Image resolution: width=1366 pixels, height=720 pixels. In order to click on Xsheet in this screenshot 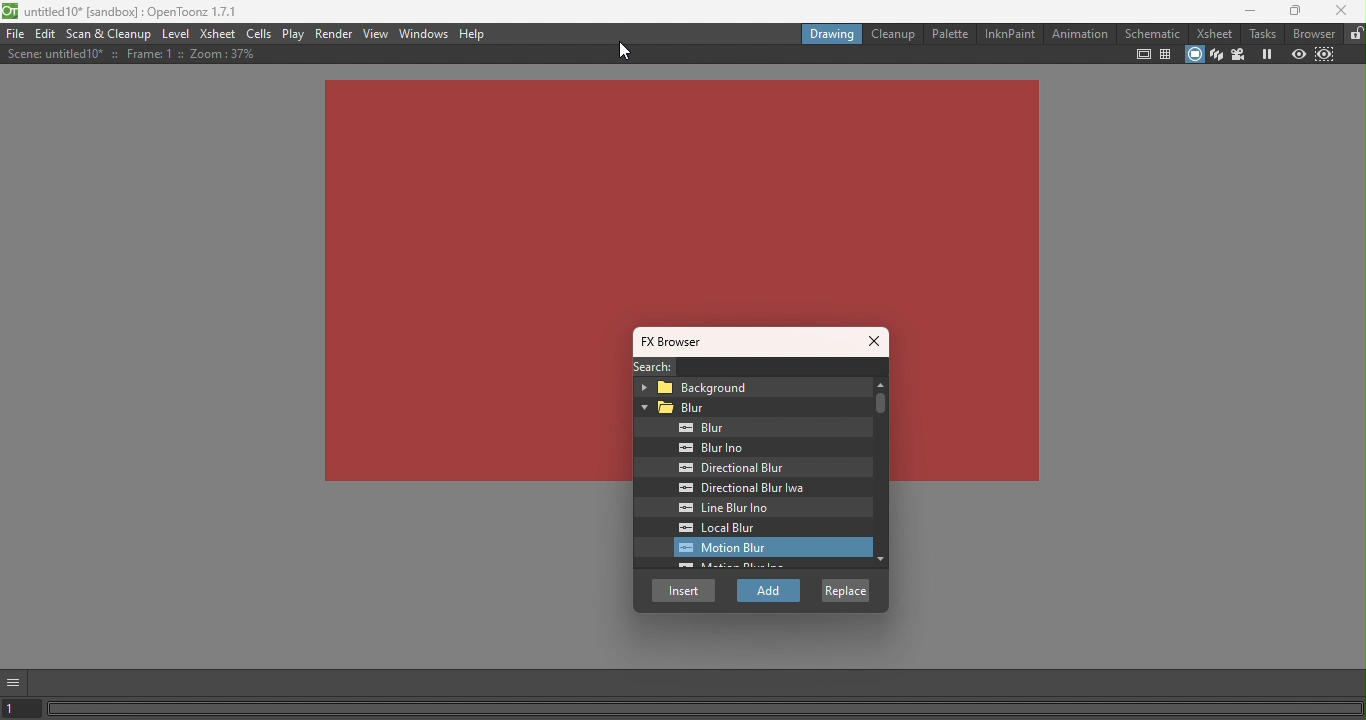, I will do `click(219, 33)`.